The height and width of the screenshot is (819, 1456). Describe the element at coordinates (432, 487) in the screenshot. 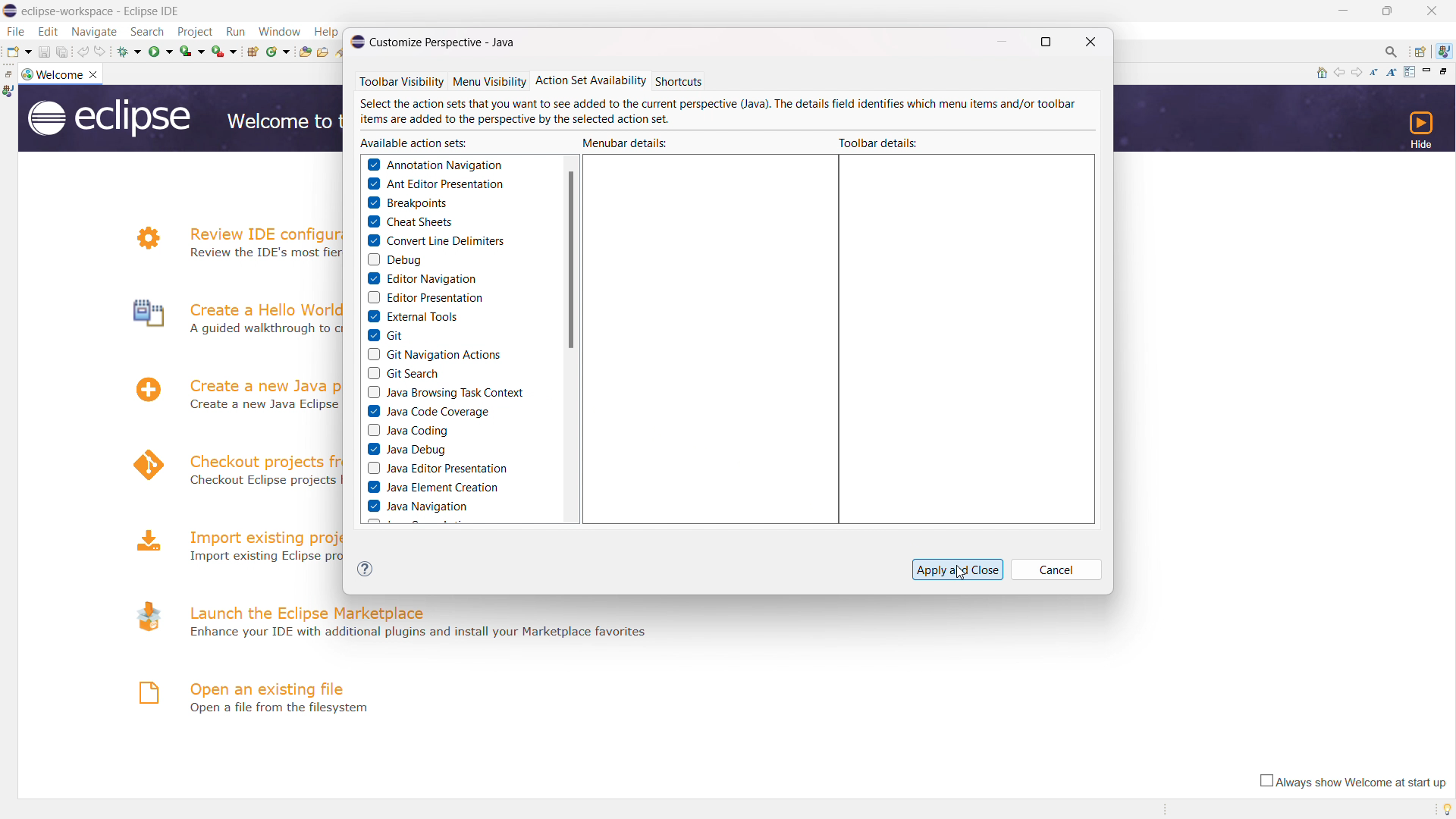

I see `java element creation` at that location.